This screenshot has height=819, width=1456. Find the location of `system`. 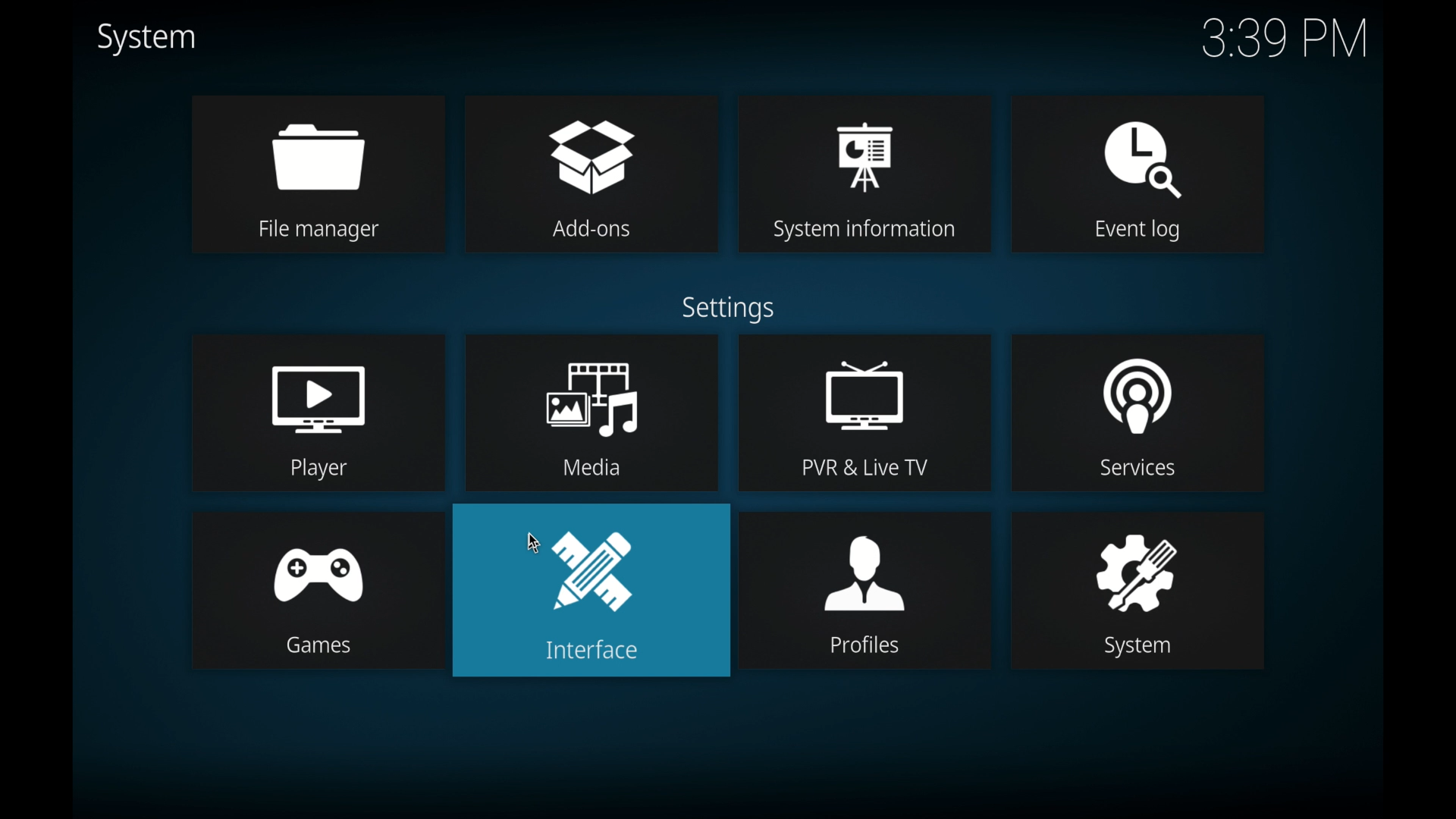

system is located at coordinates (145, 39).